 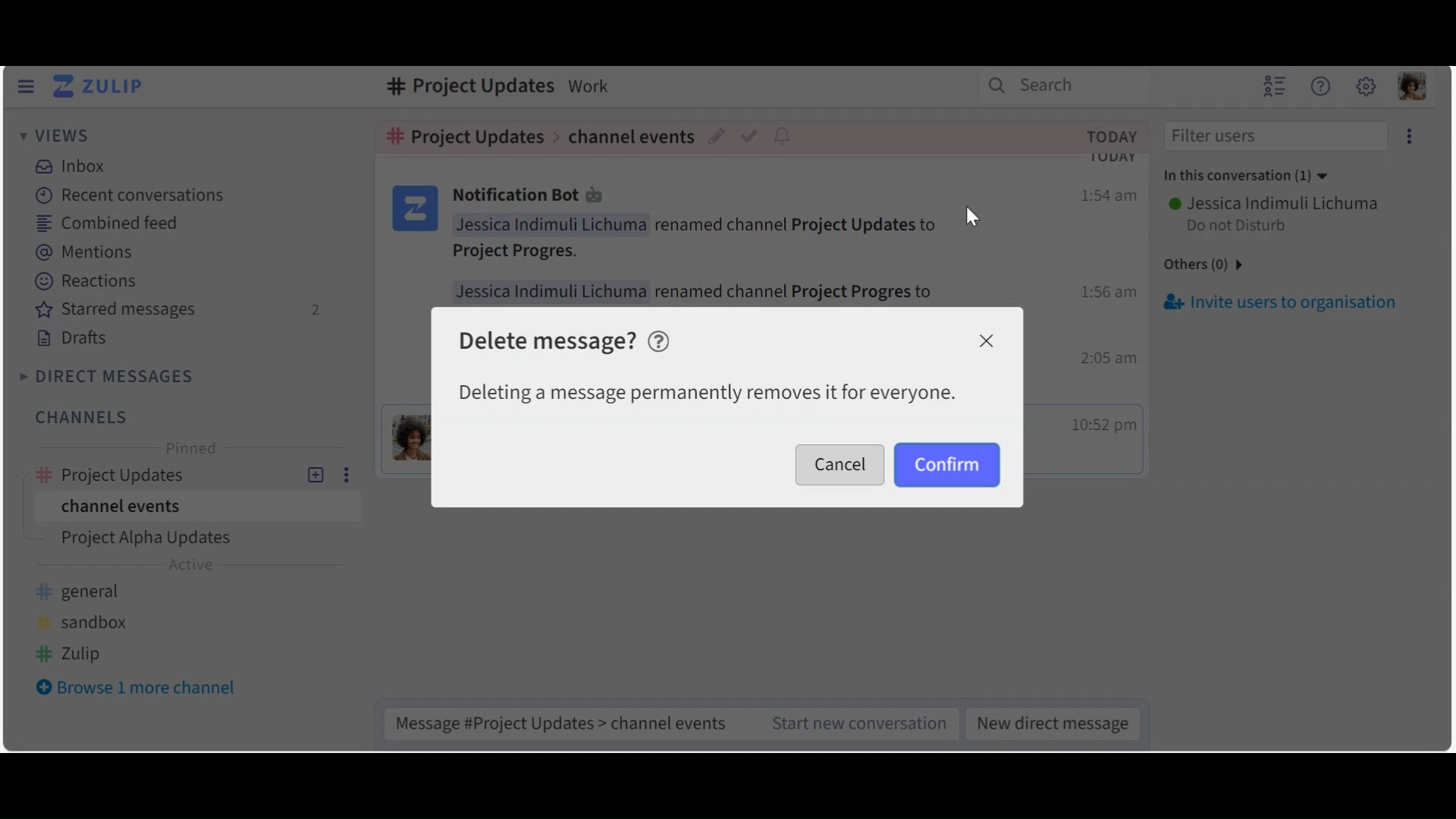 What do you see at coordinates (80, 417) in the screenshot?
I see `Channels` at bounding box center [80, 417].